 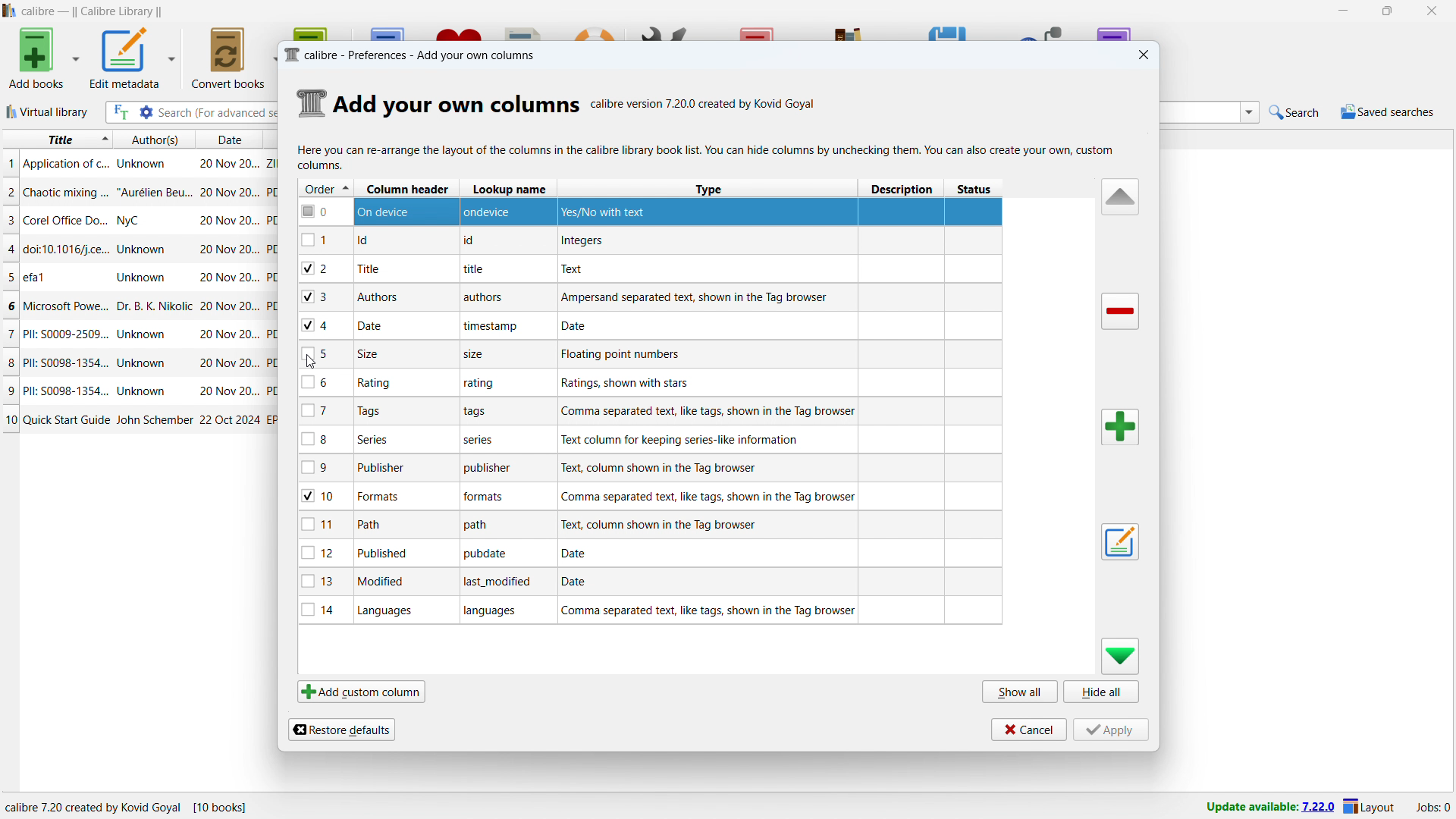 What do you see at coordinates (481, 413) in the screenshot?
I see `tags` at bounding box center [481, 413].